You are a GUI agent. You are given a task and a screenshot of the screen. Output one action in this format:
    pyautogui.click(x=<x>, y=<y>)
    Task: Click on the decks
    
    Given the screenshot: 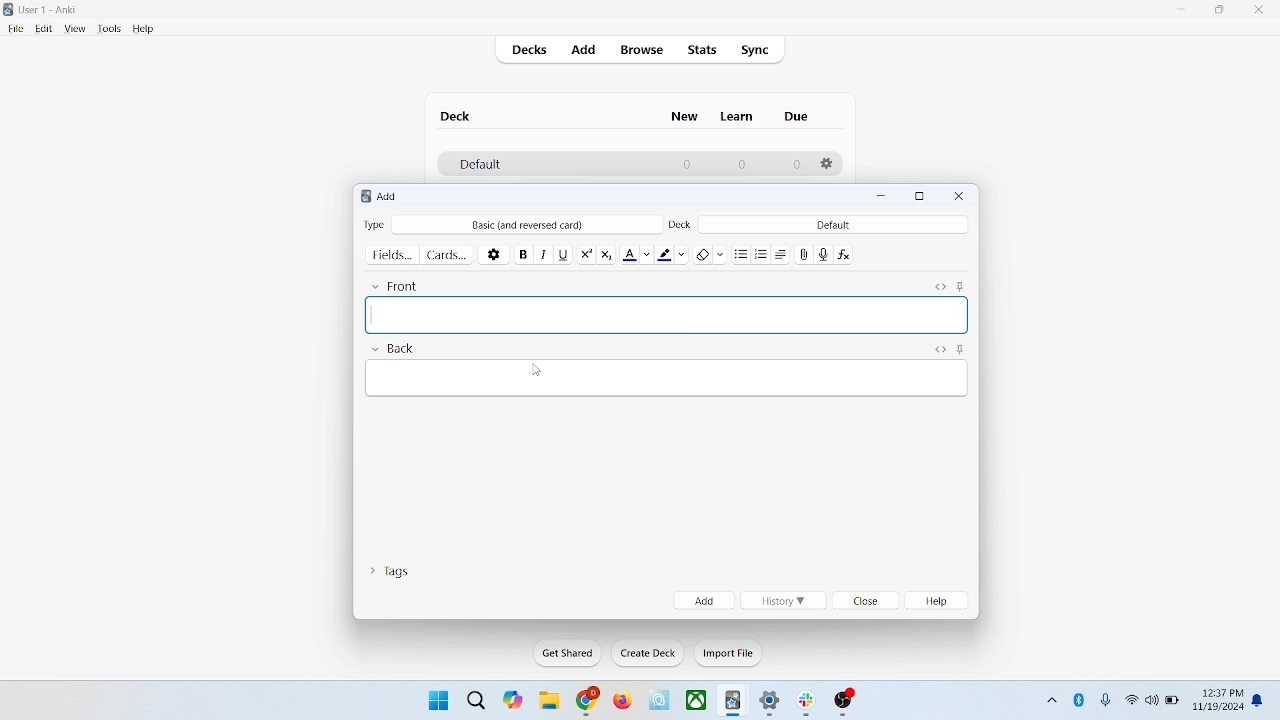 What is the action you would take?
    pyautogui.click(x=532, y=52)
    